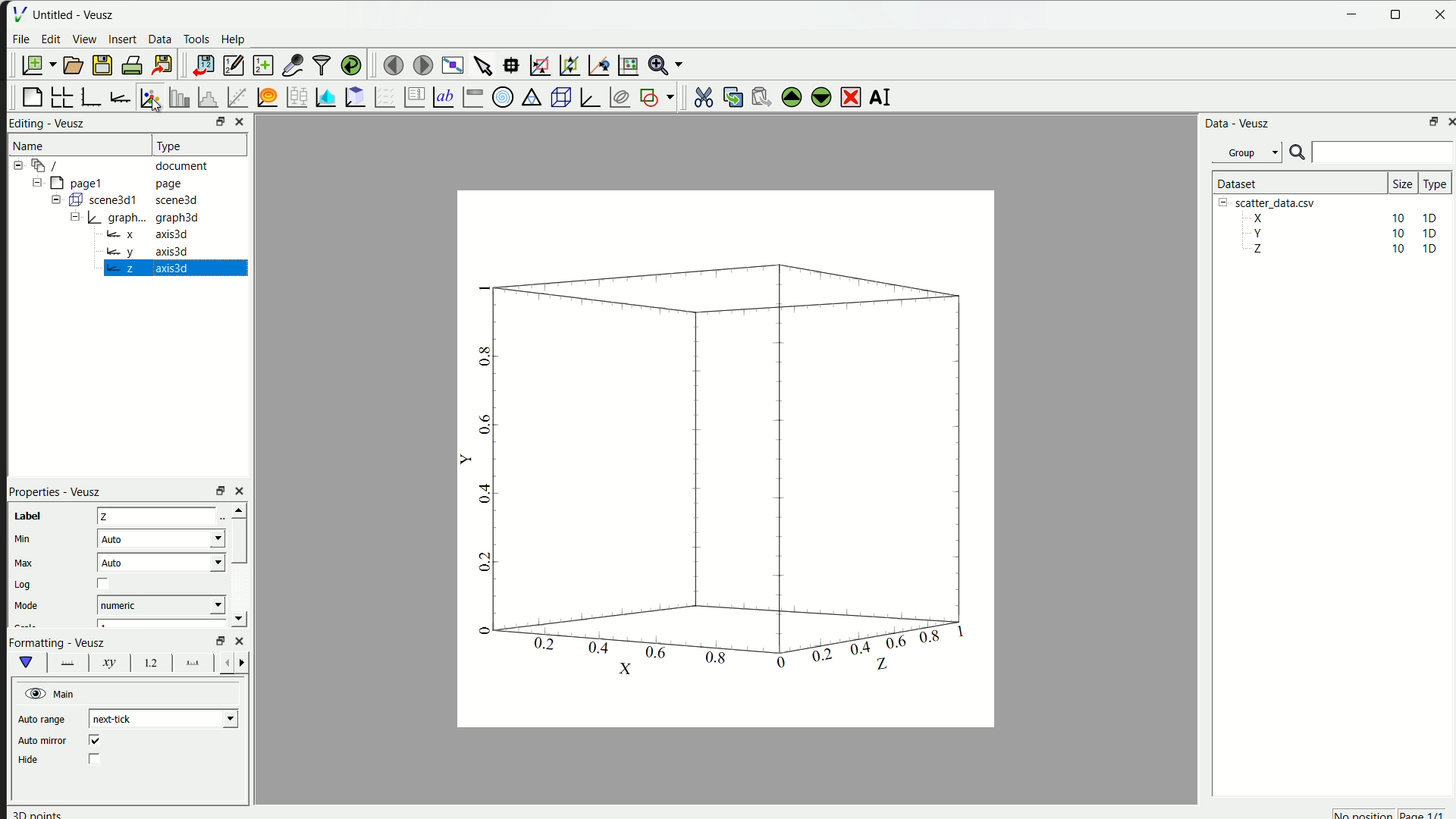  Describe the element at coordinates (1393, 812) in the screenshot. I see `no position page 1/1` at that location.